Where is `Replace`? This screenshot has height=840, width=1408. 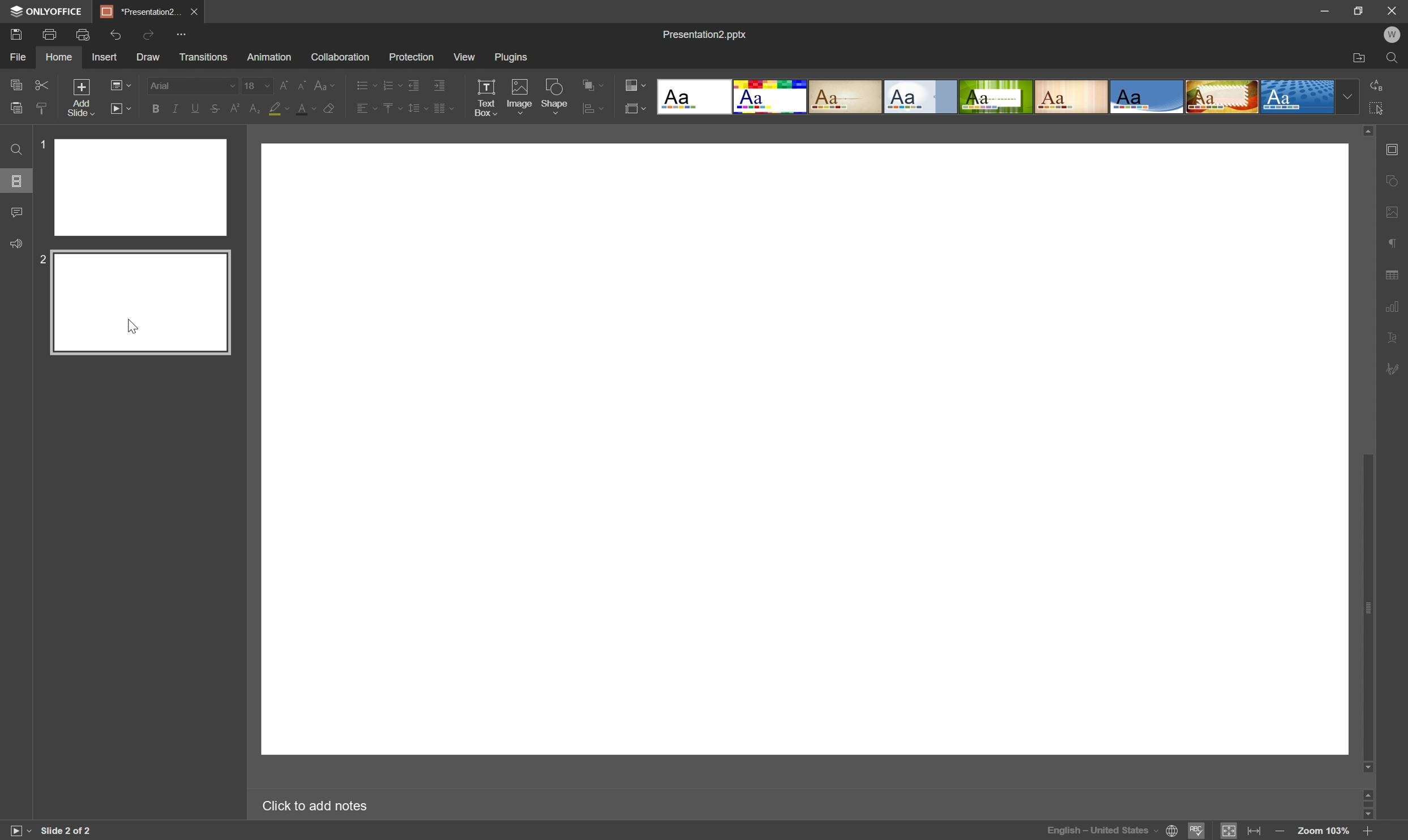 Replace is located at coordinates (1381, 85).